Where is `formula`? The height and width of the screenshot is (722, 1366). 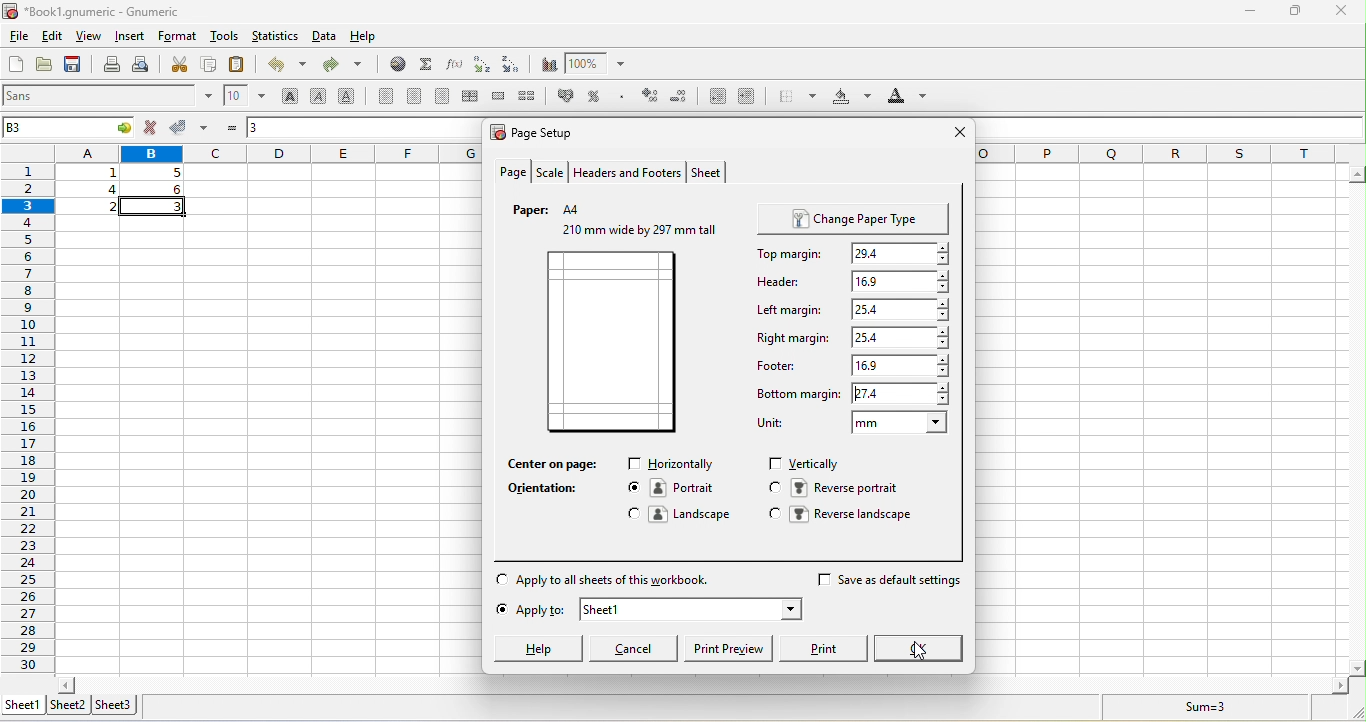
formula is located at coordinates (230, 127).